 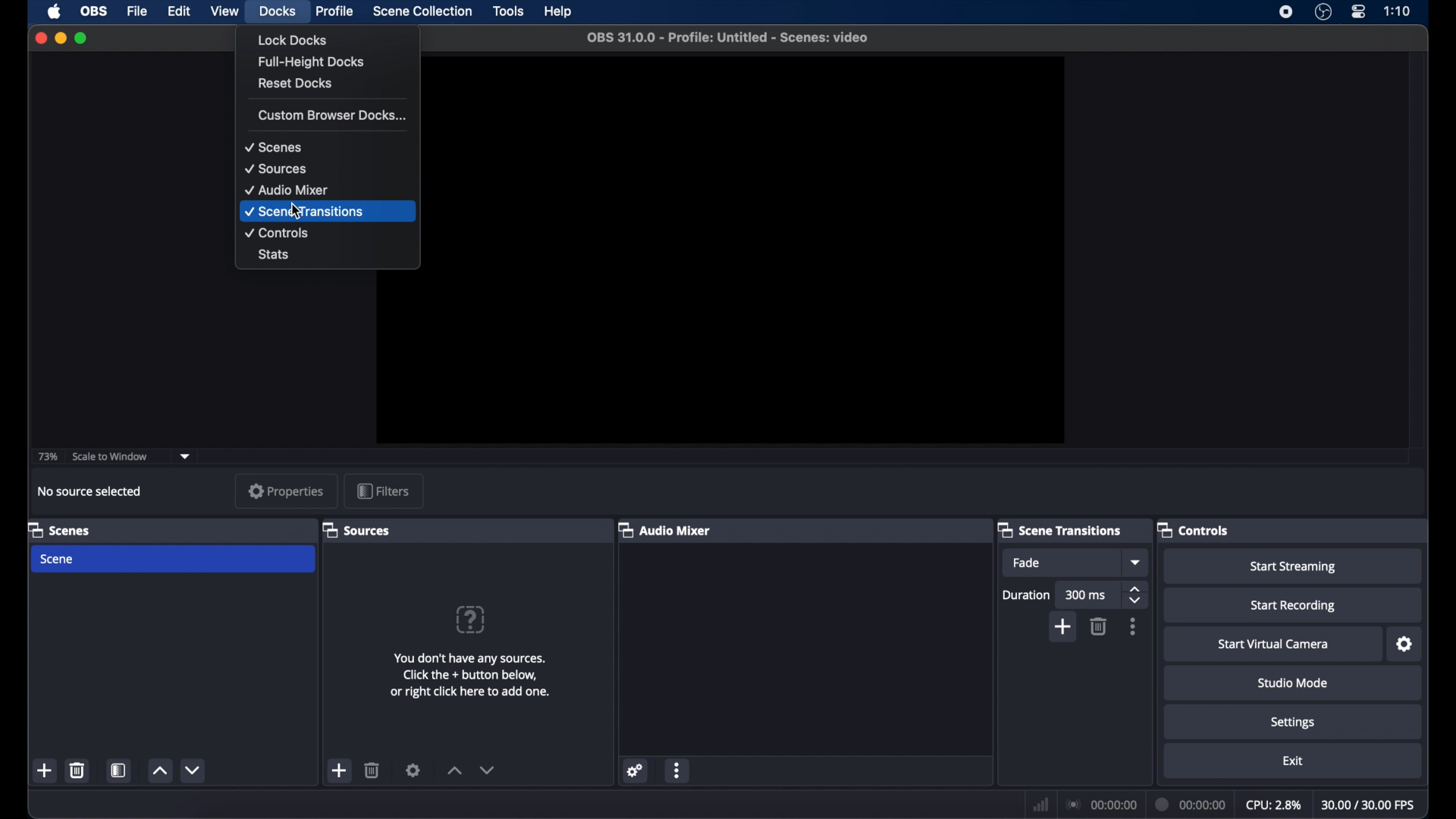 I want to click on scene filters, so click(x=118, y=770).